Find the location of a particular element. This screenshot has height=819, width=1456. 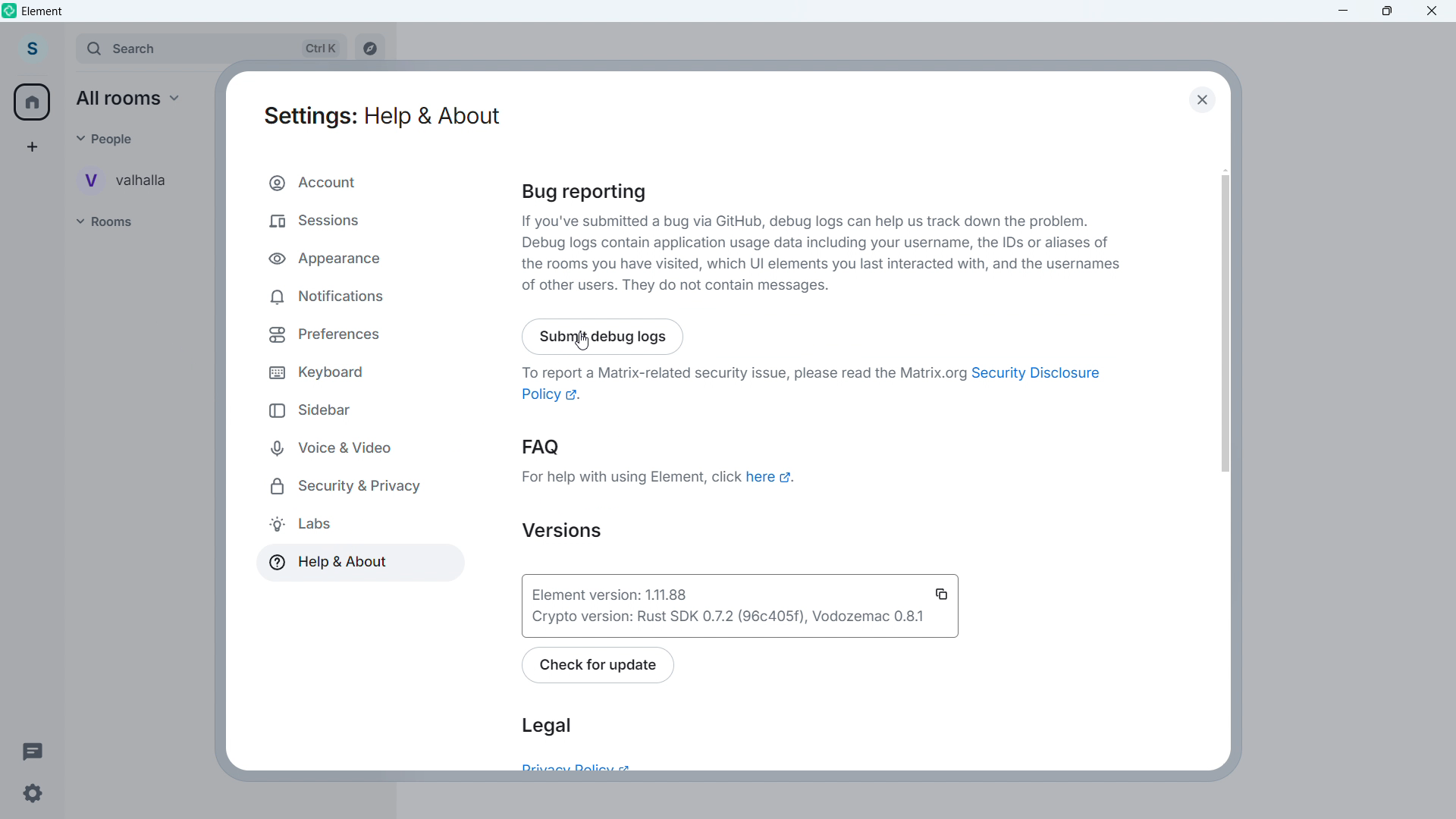

Element version: 1.11.88 is located at coordinates (677, 592).